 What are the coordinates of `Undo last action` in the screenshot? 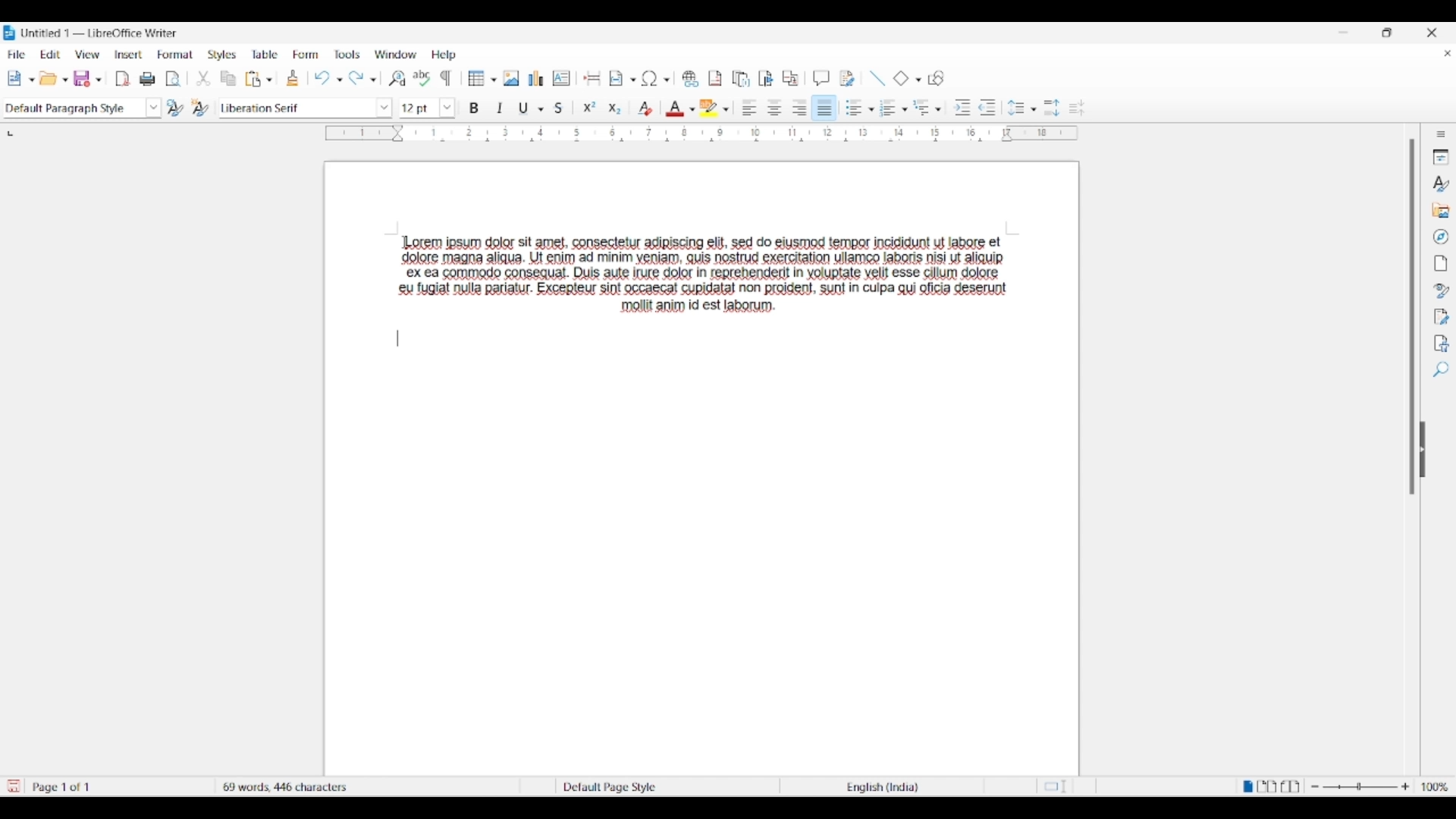 It's located at (322, 78).